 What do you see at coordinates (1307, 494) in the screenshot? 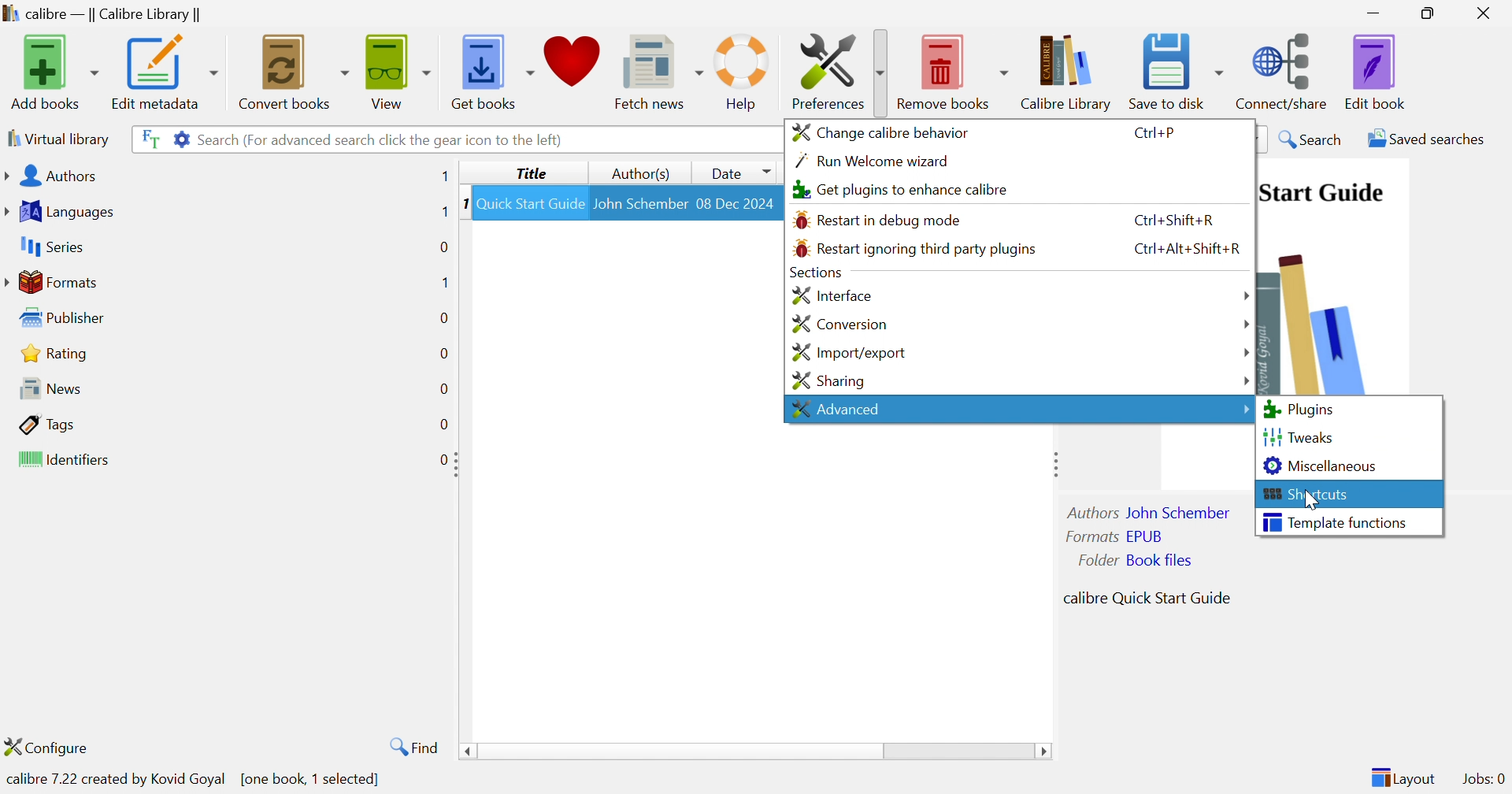
I see `Shortcuts` at bounding box center [1307, 494].